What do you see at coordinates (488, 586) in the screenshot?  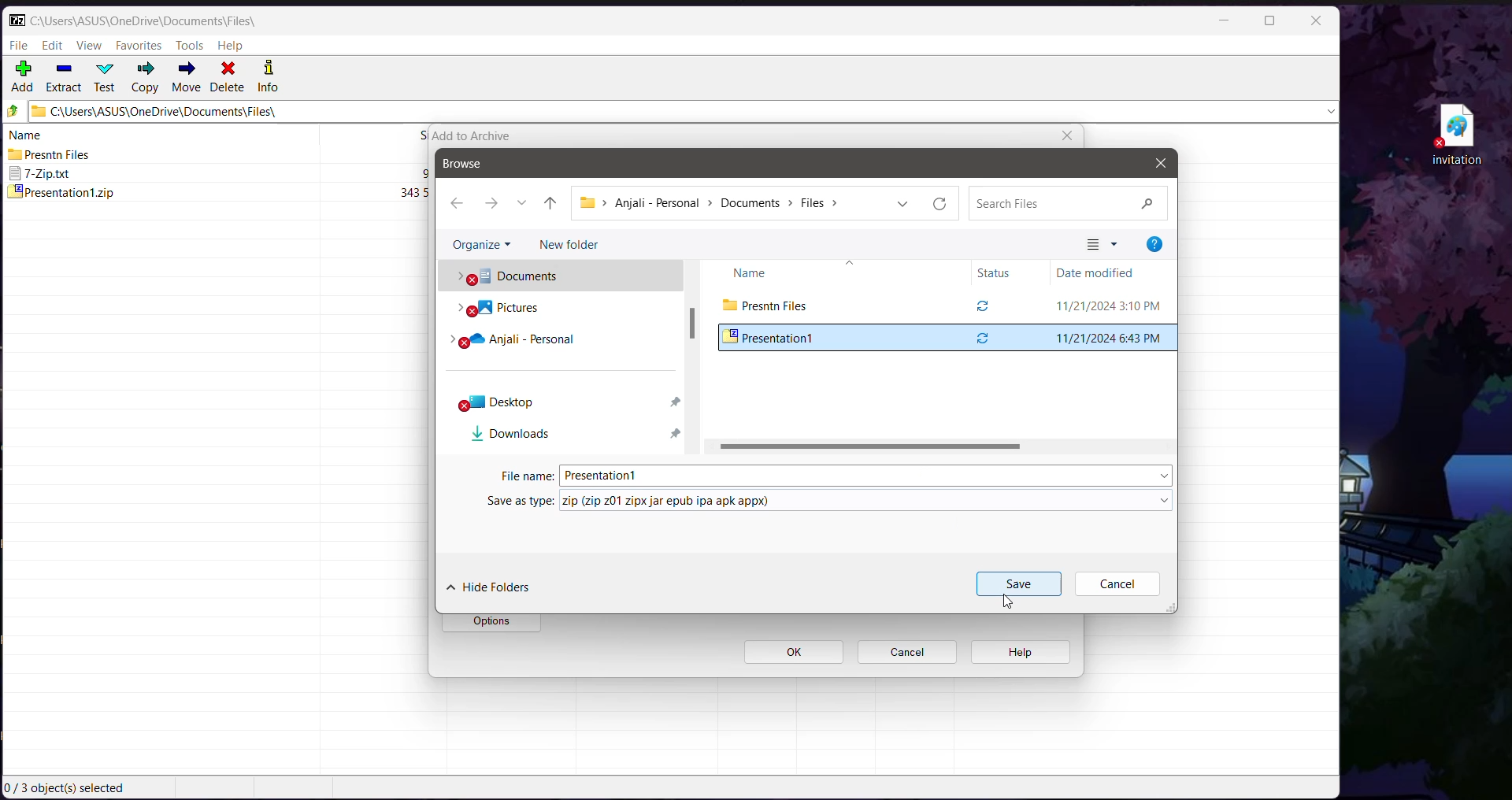 I see `Hide Folders` at bounding box center [488, 586].